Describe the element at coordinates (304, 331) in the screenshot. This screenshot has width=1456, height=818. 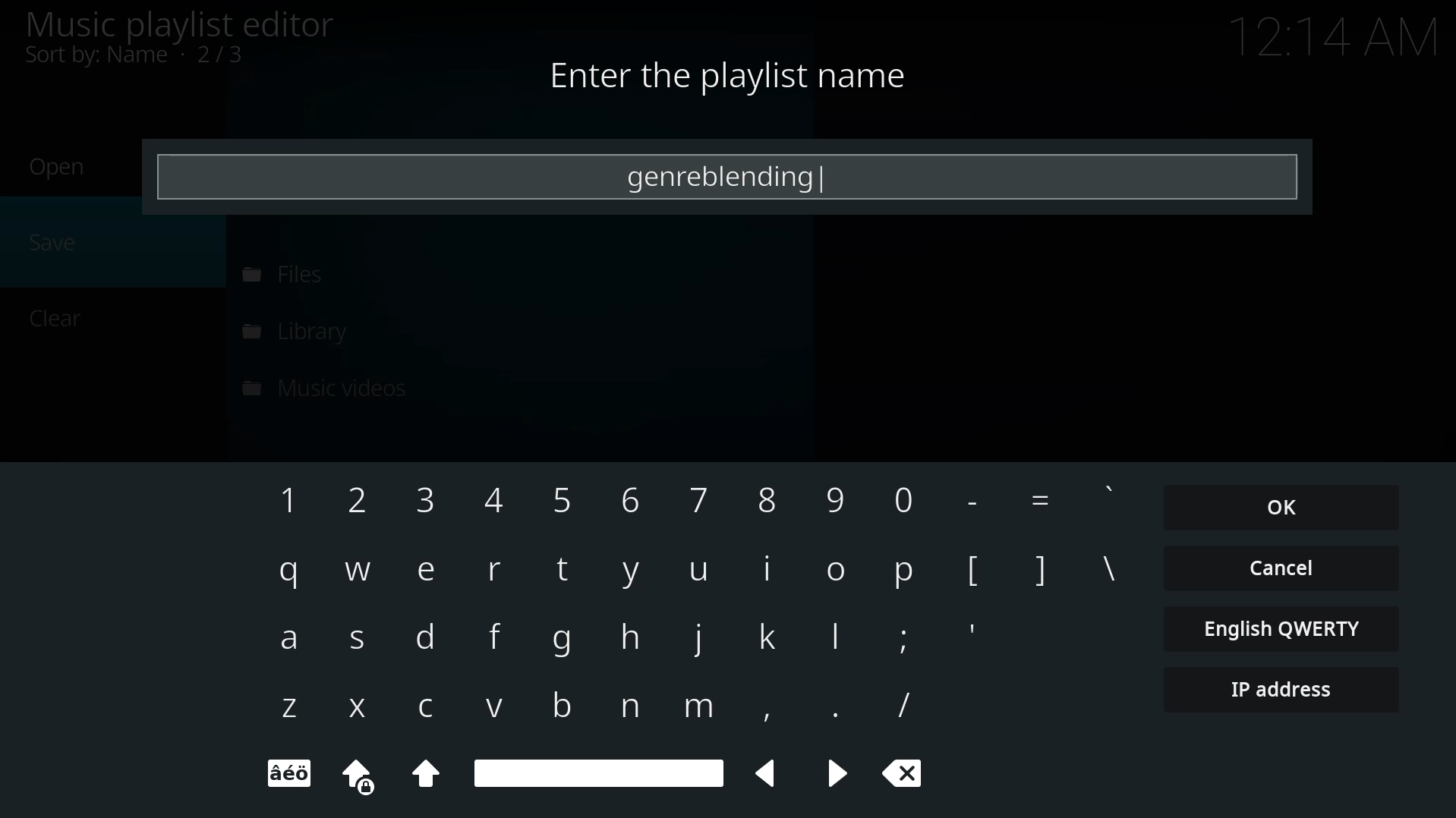
I see `library` at that location.